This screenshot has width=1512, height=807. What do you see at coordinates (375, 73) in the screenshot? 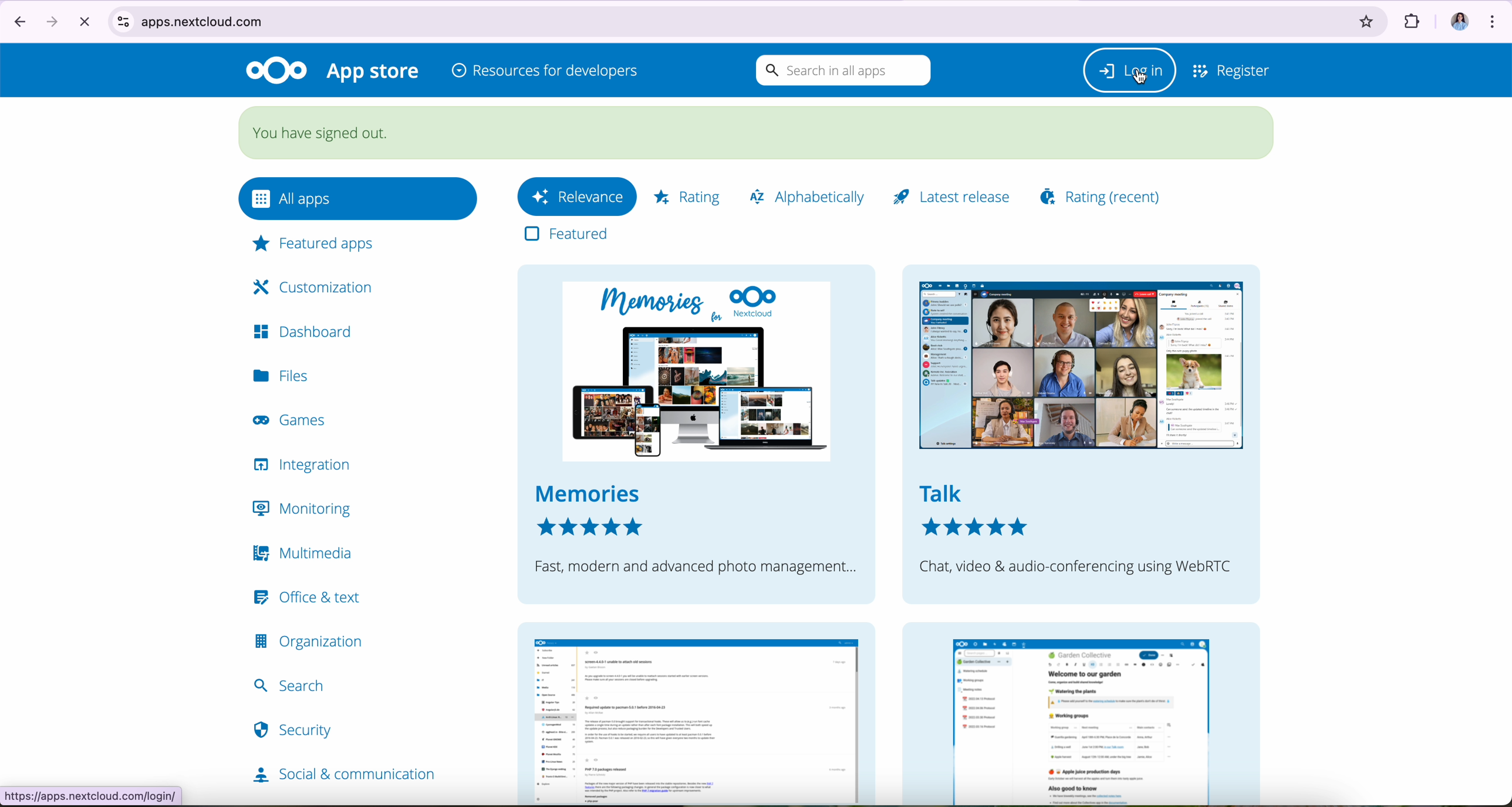
I see `appstore` at bounding box center [375, 73].